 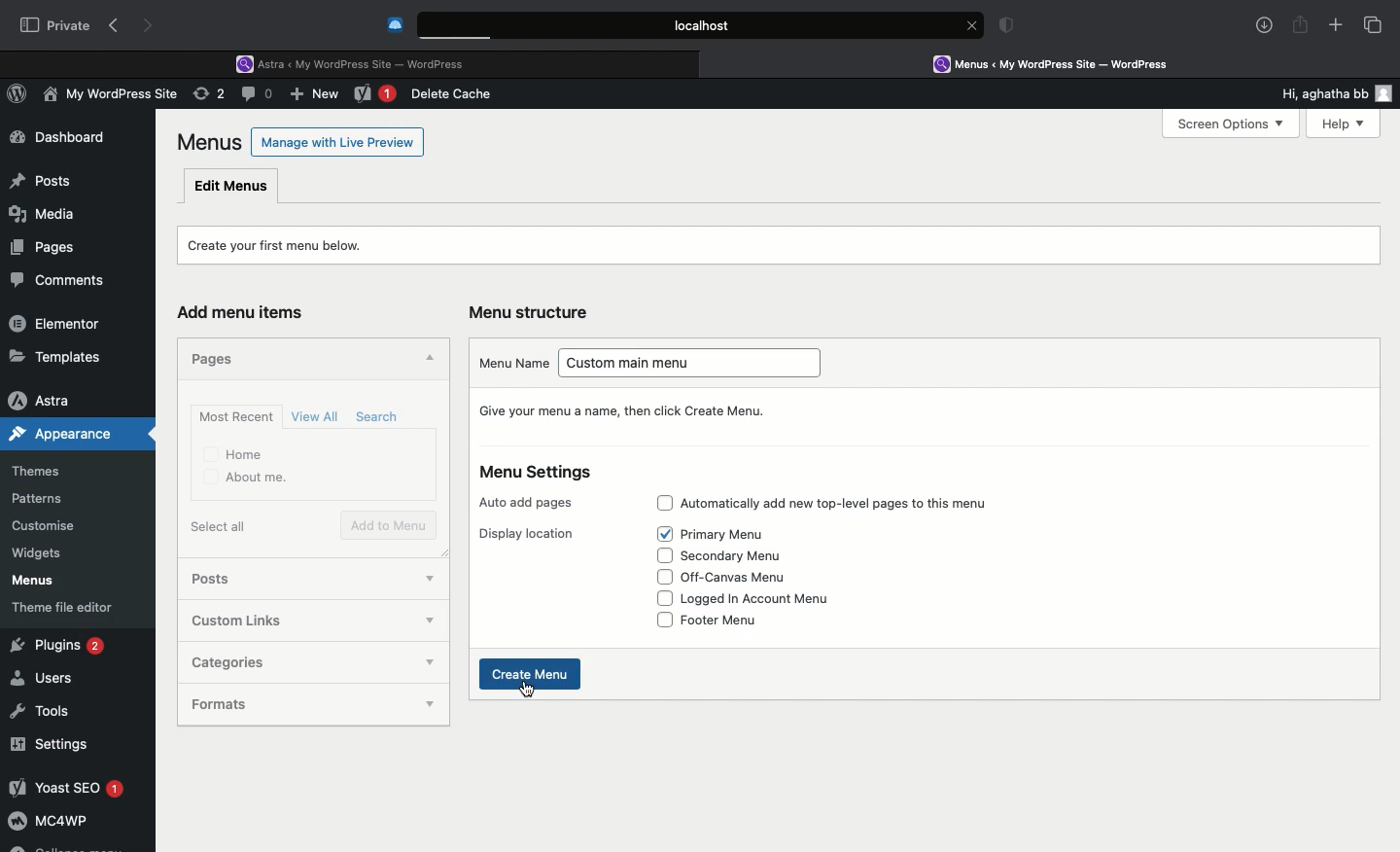 I want to click on Add new tab, so click(x=1336, y=28).